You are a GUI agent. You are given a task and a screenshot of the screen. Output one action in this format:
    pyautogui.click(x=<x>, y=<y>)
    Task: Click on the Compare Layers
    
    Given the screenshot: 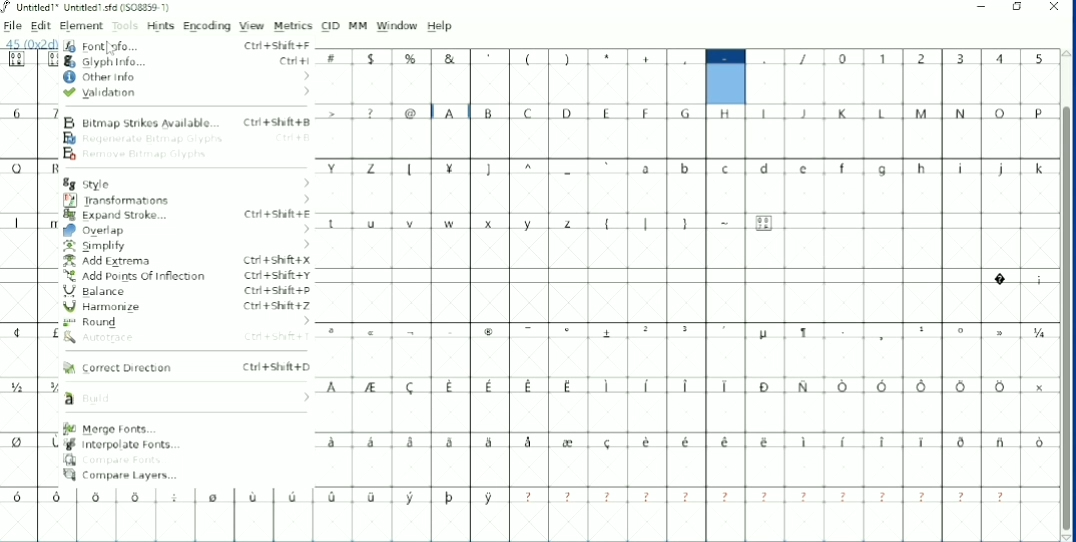 What is the action you would take?
    pyautogui.click(x=119, y=475)
    